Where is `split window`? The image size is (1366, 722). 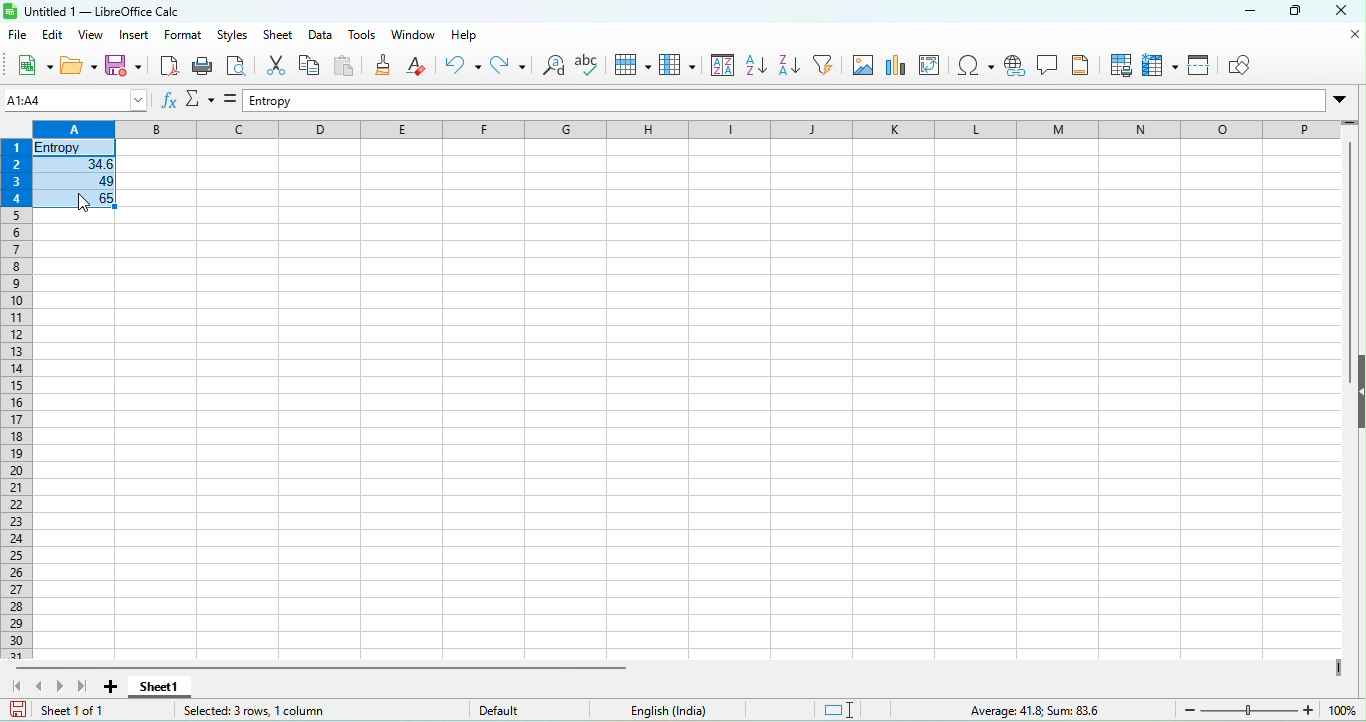
split window is located at coordinates (1202, 67).